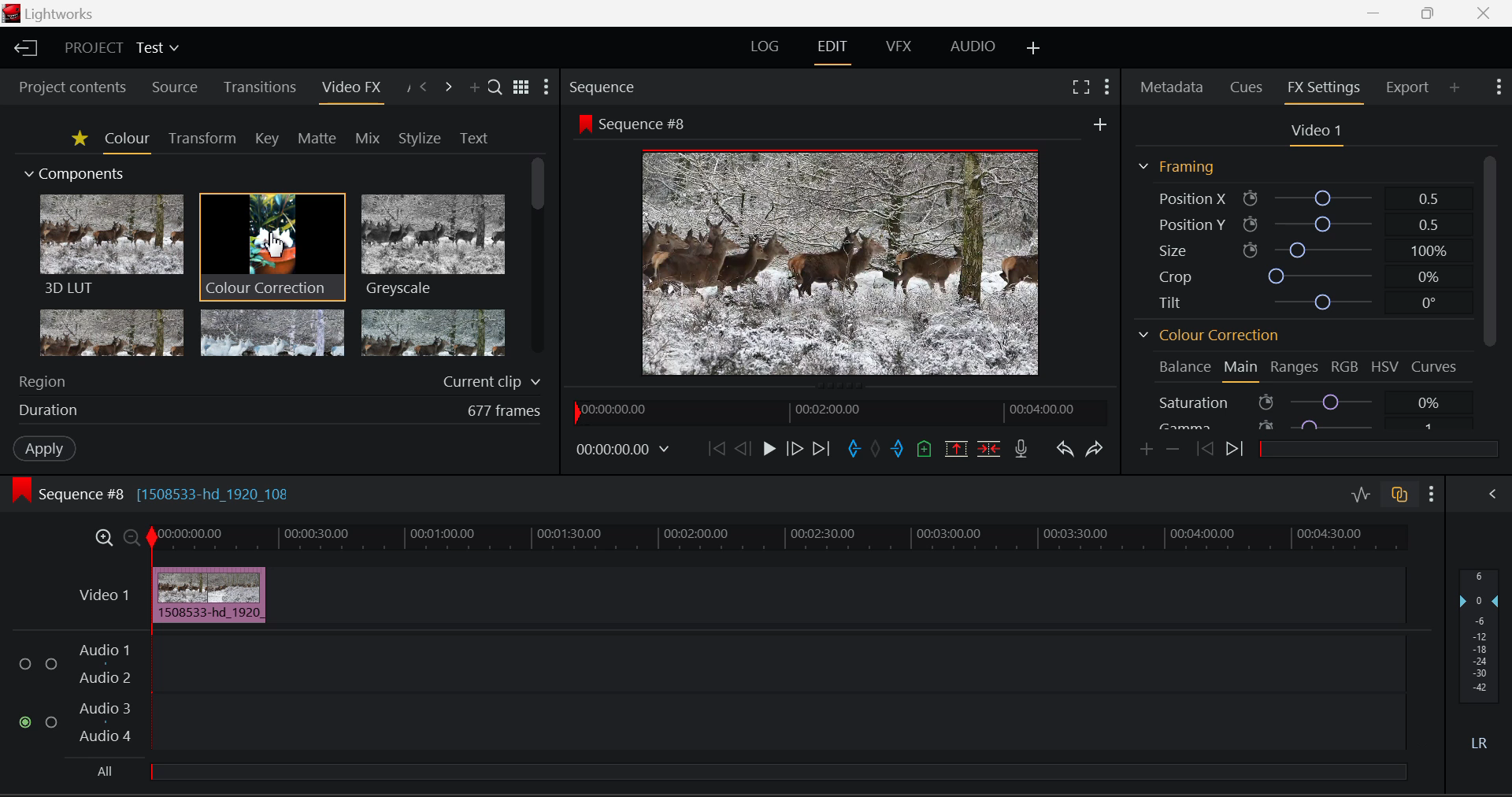 This screenshot has width=1512, height=797. Describe the element at coordinates (1242, 370) in the screenshot. I see `Main Tab Open` at that location.